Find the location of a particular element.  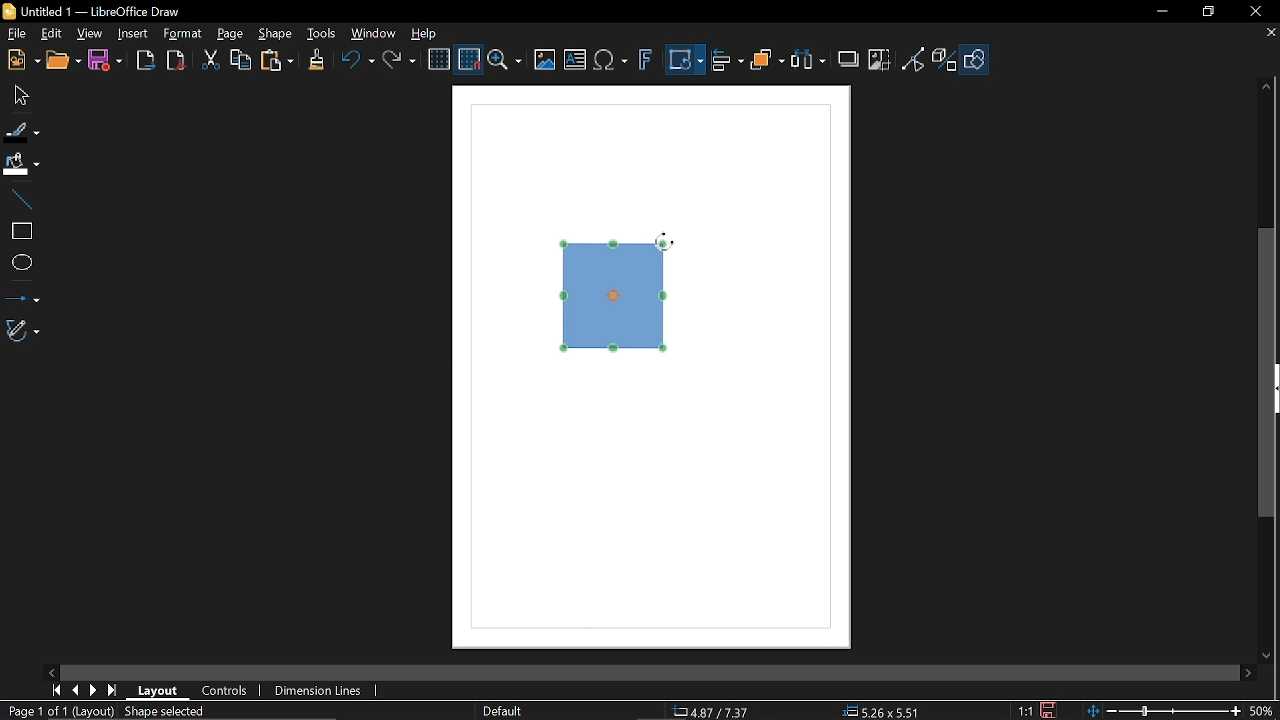

LibreOffice Logo is located at coordinates (9, 12).